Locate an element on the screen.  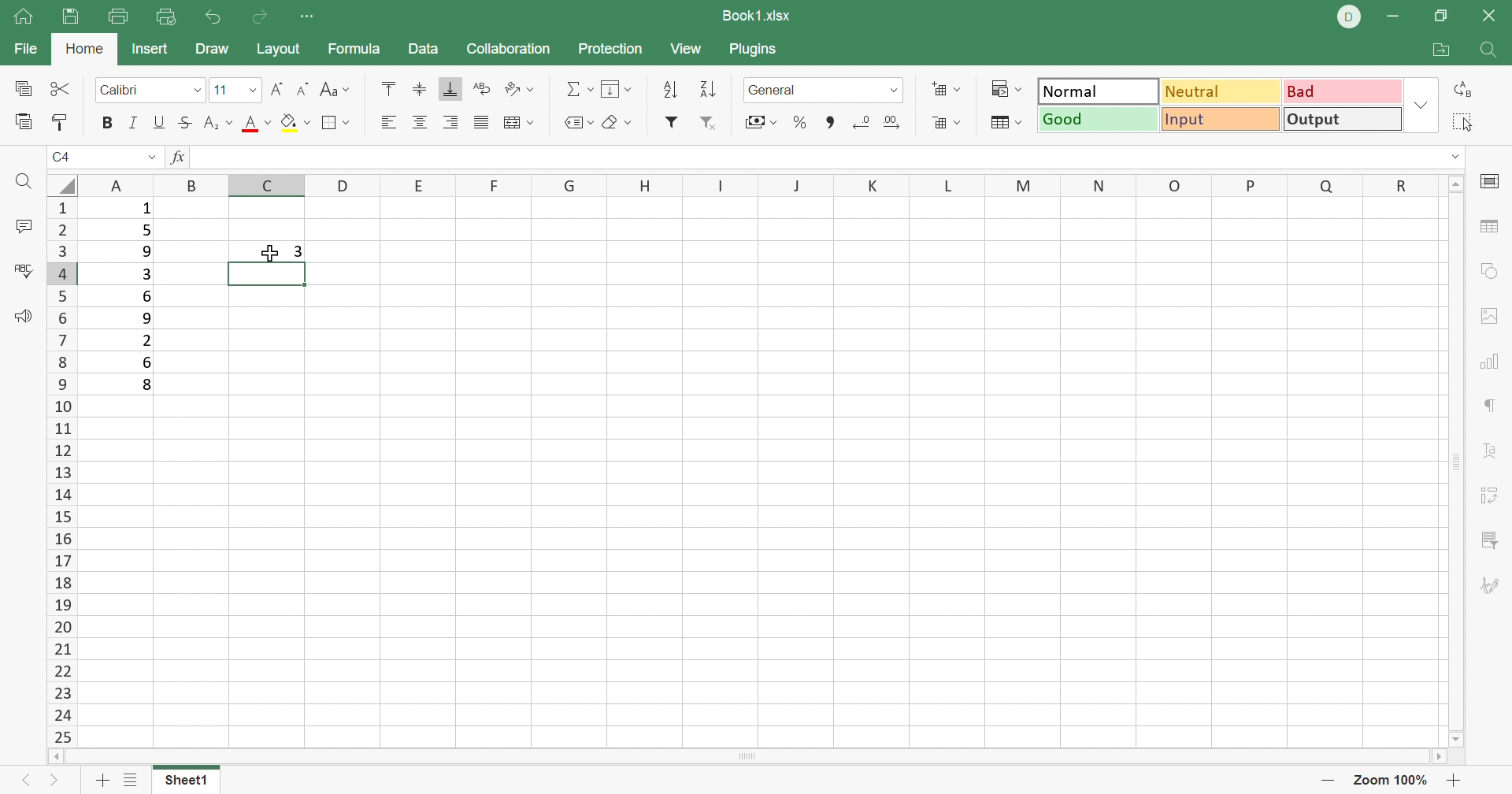
Named ranges is located at coordinates (577, 121).